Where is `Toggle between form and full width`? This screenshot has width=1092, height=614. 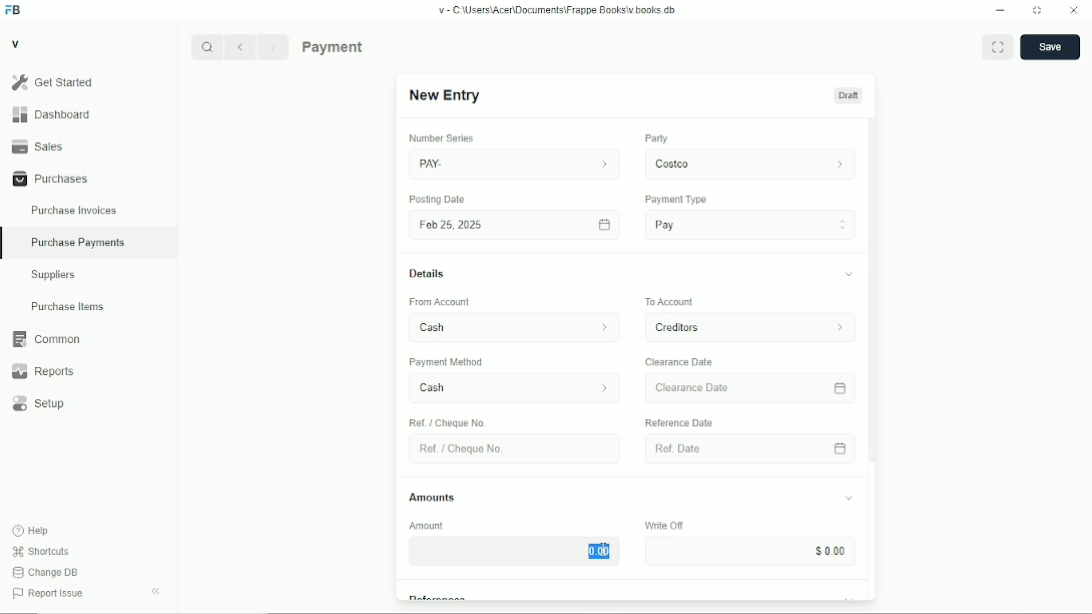
Toggle between form and full width is located at coordinates (997, 47).